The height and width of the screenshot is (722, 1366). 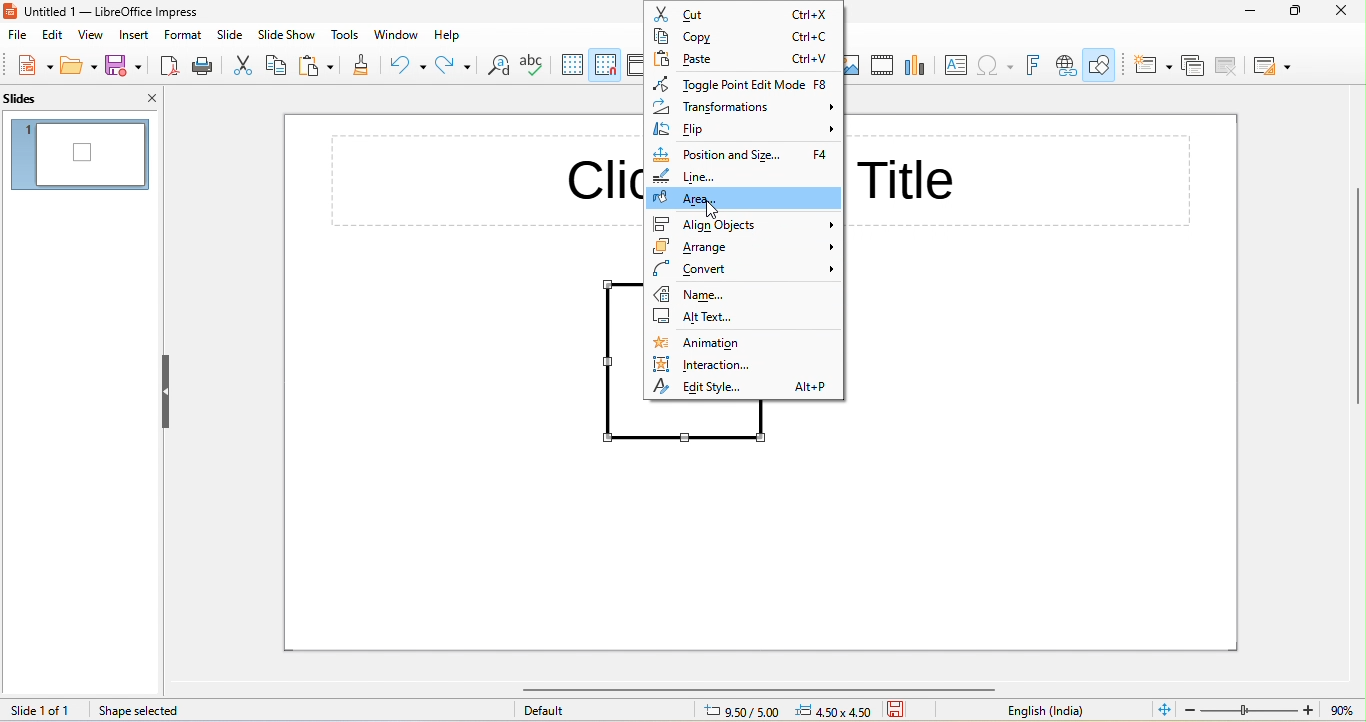 What do you see at coordinates (496, 66) in the screenshot?
I see `find and replace` at bounding box center [496, 66].